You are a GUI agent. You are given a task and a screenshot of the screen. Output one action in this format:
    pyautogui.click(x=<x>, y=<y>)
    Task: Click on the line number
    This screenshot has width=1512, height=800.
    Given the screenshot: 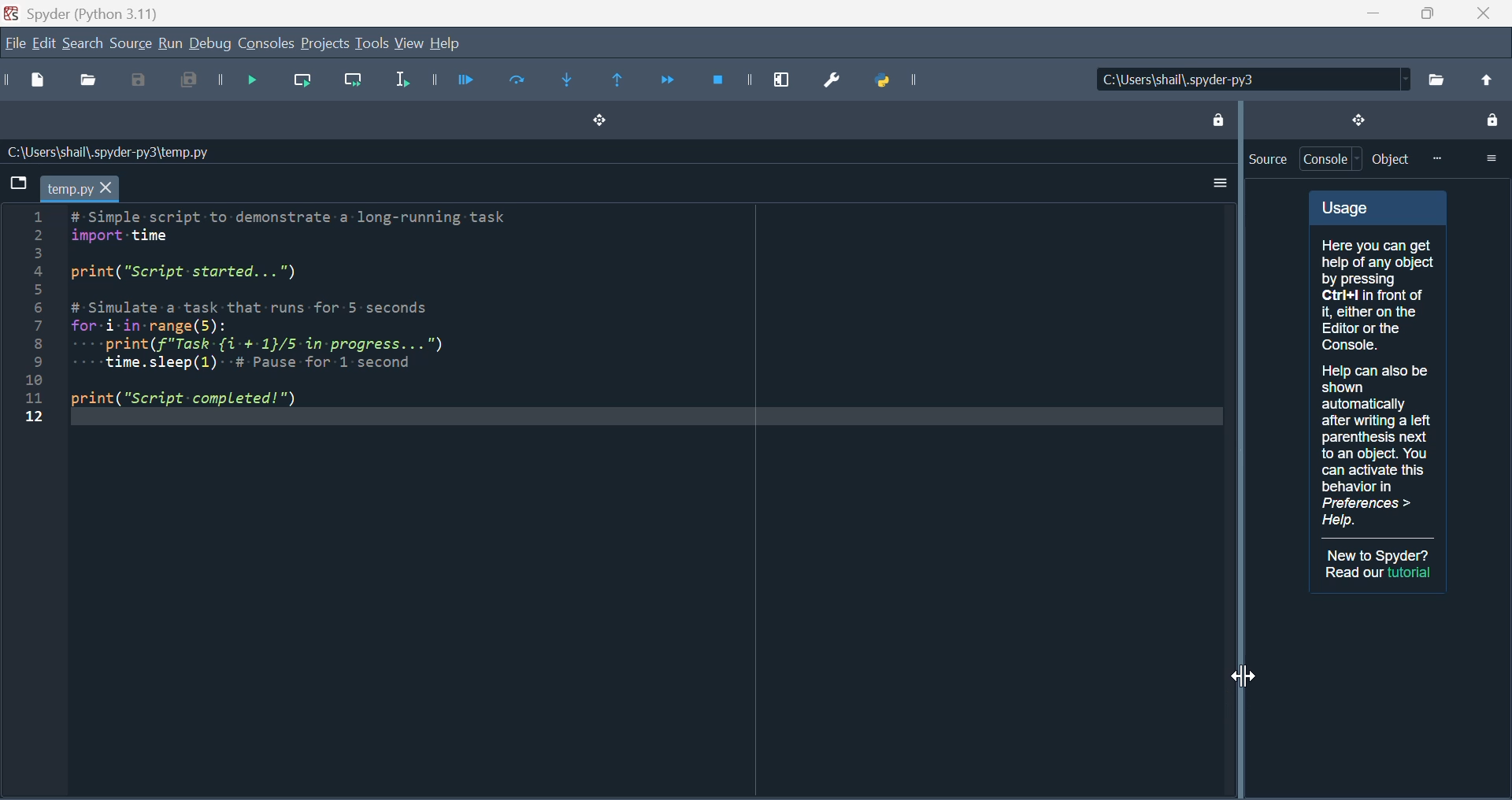 What is the action you would take?
    pyautogui.click(x=33, y=317)
    